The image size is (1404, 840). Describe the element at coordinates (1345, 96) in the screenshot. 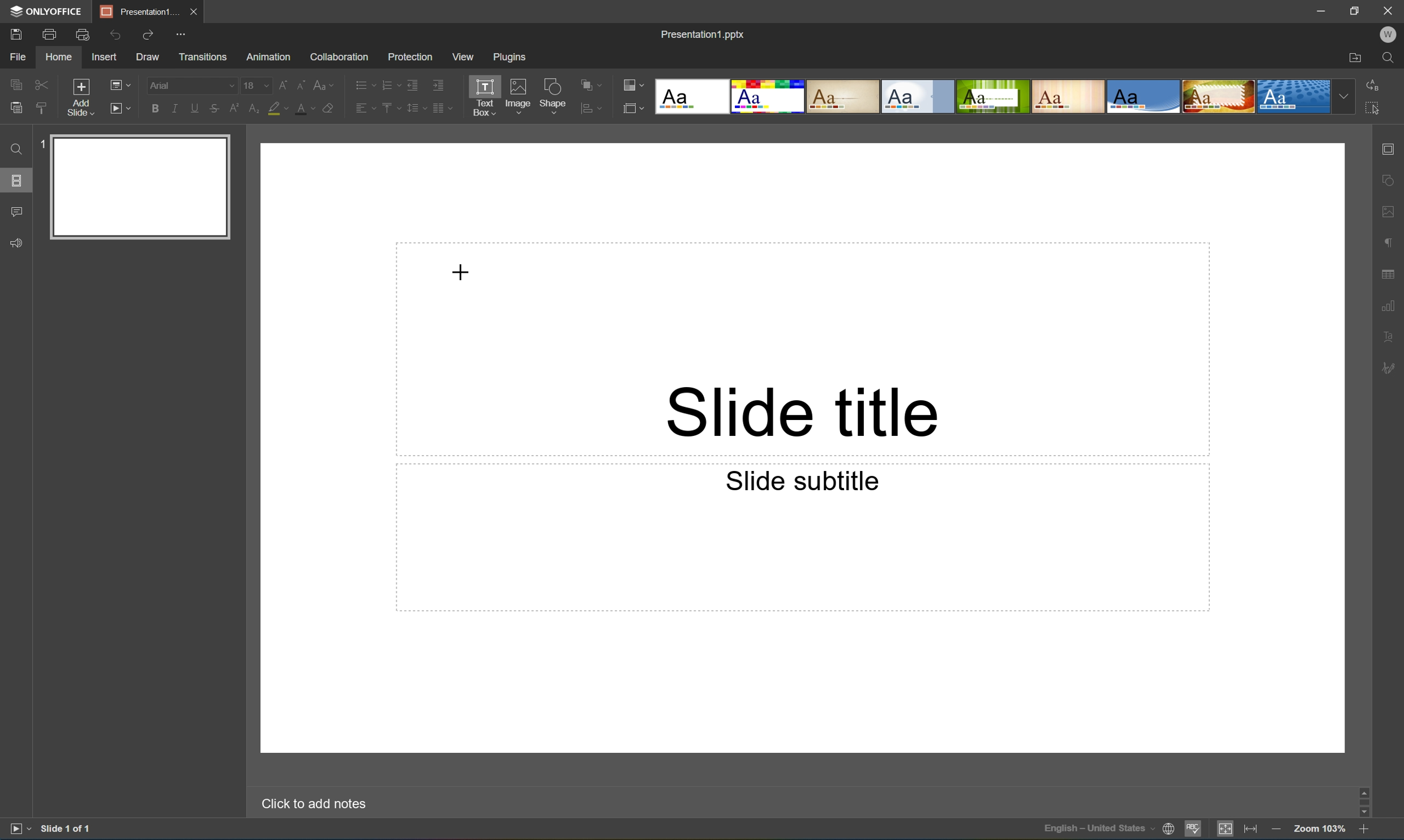

I see `Drop Down` at that location.